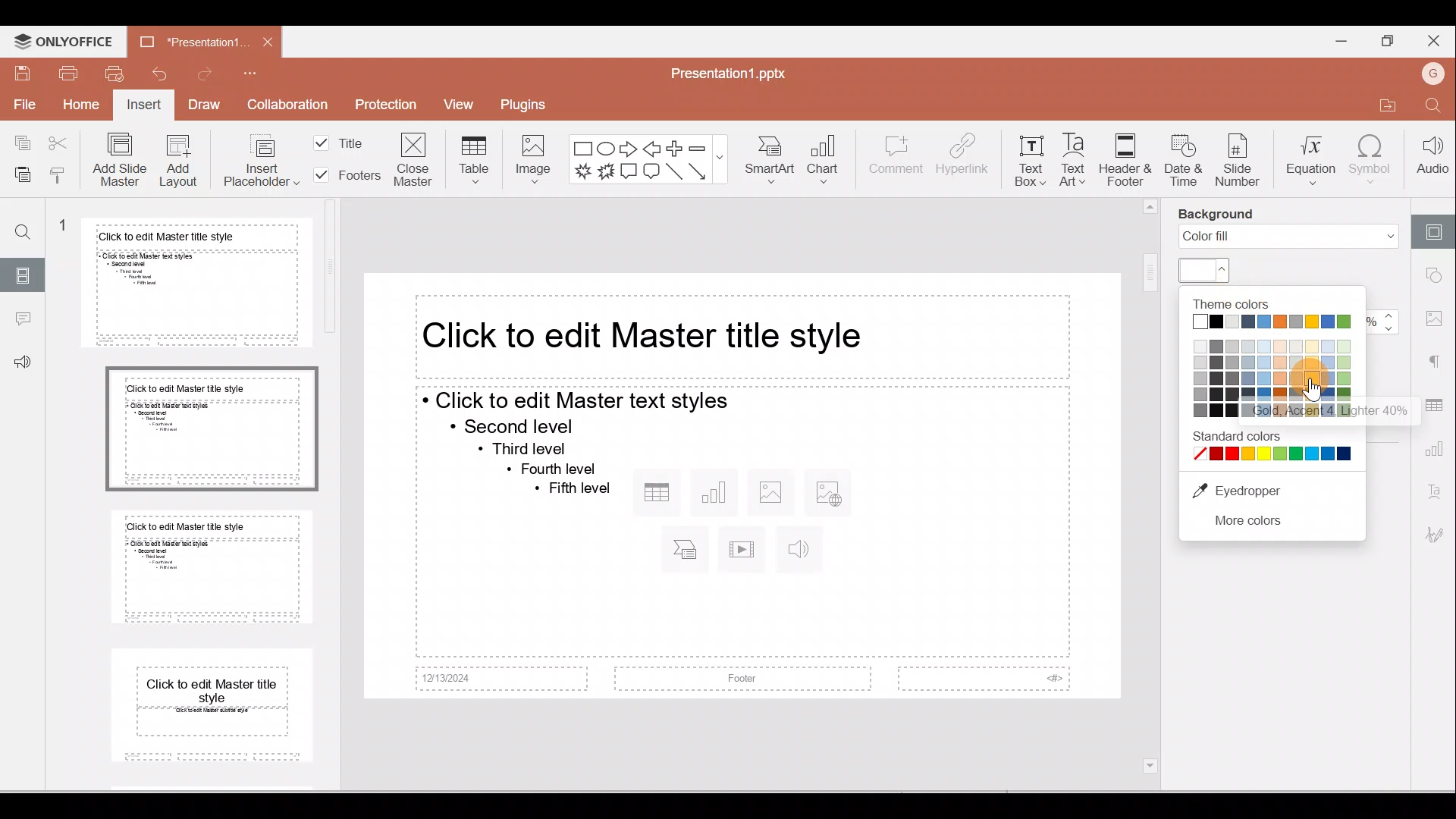  Describe the element at coordinates (24, 274) in the screenshot. I see `Slide` at that location.